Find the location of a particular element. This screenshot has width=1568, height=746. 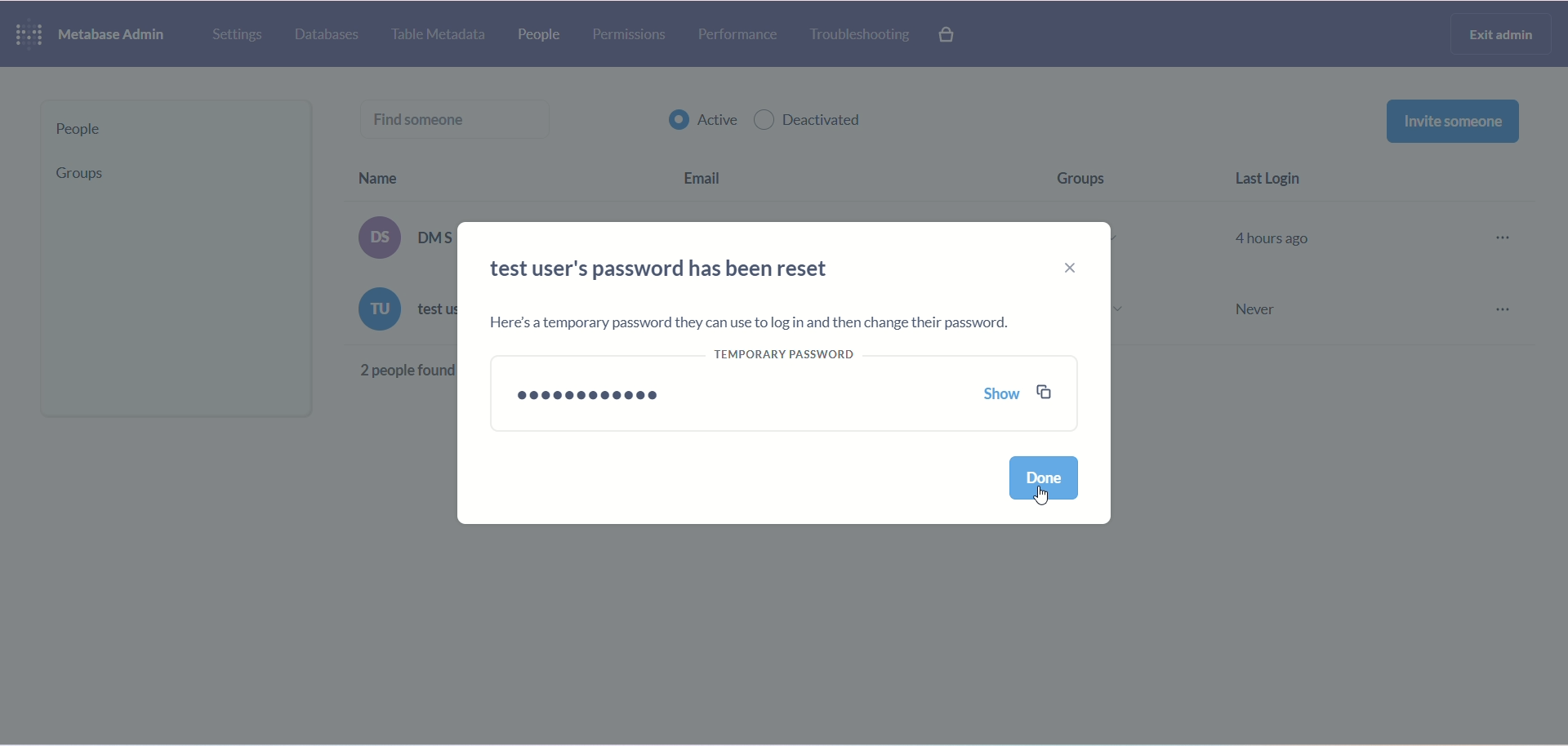

text is located at coordinates (403, 276).